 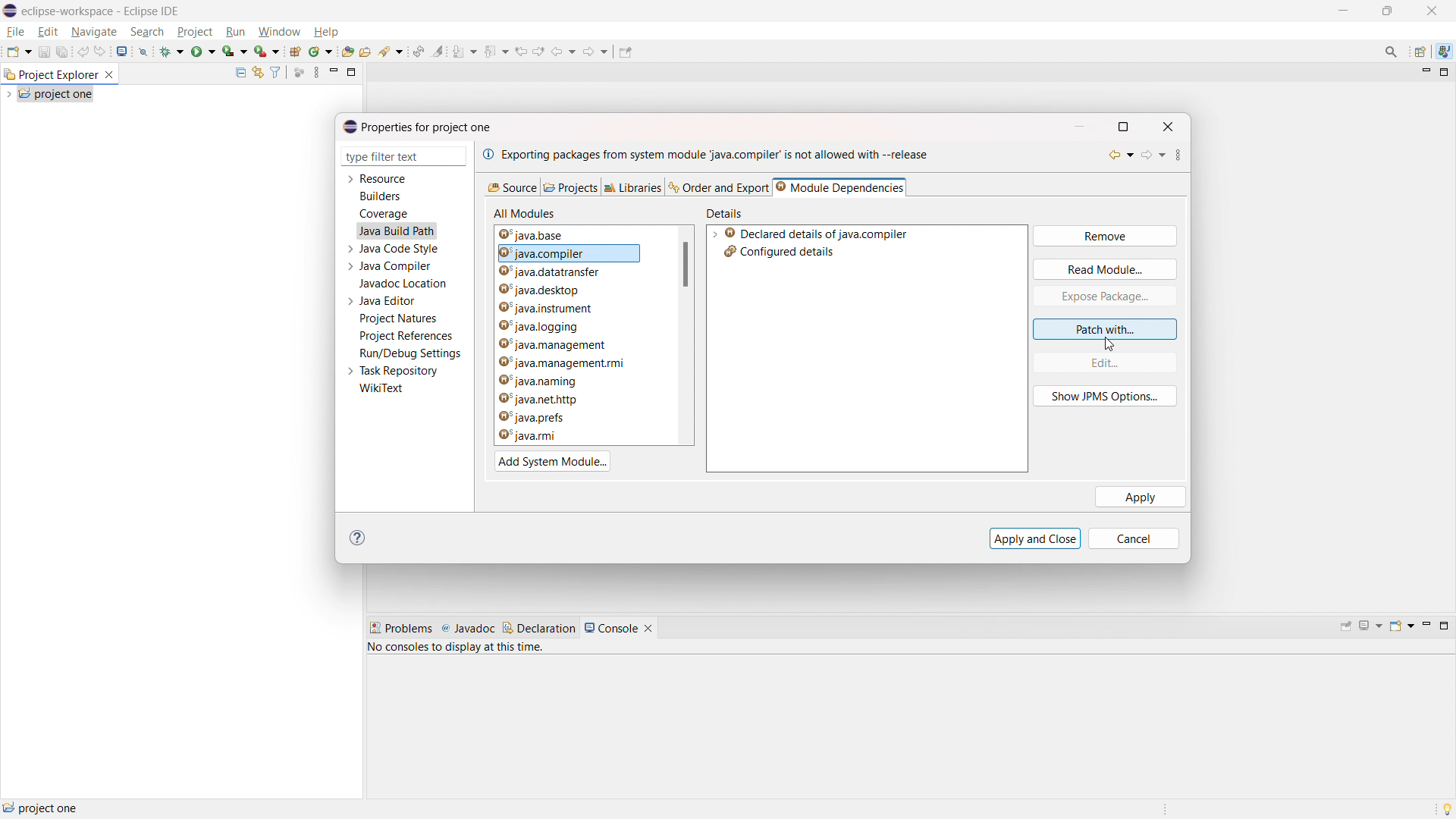 What do you see at coordinates (148, 31) in the screenshot?
I see `search` at bounding box center [148, 31].